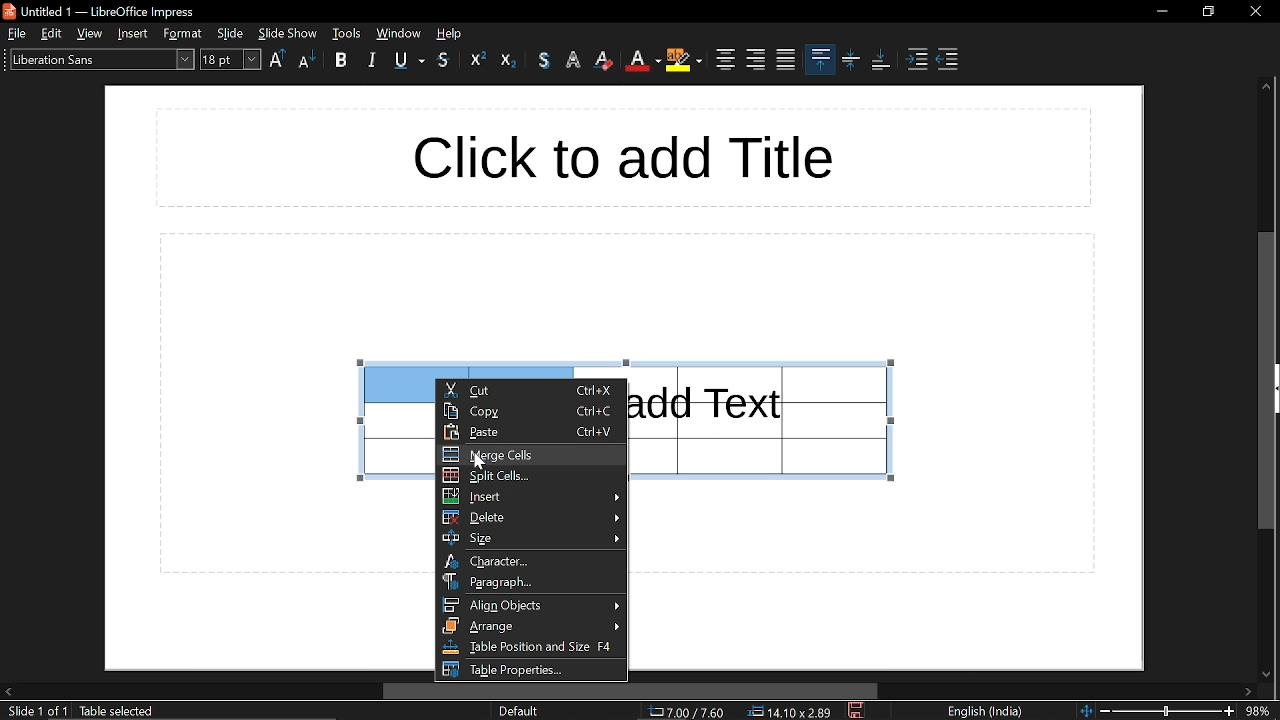 This screenshot has height=720, width=1280. Describe the element at coordinates (307, 61) in the screenshot. I see `lower case` at that location.